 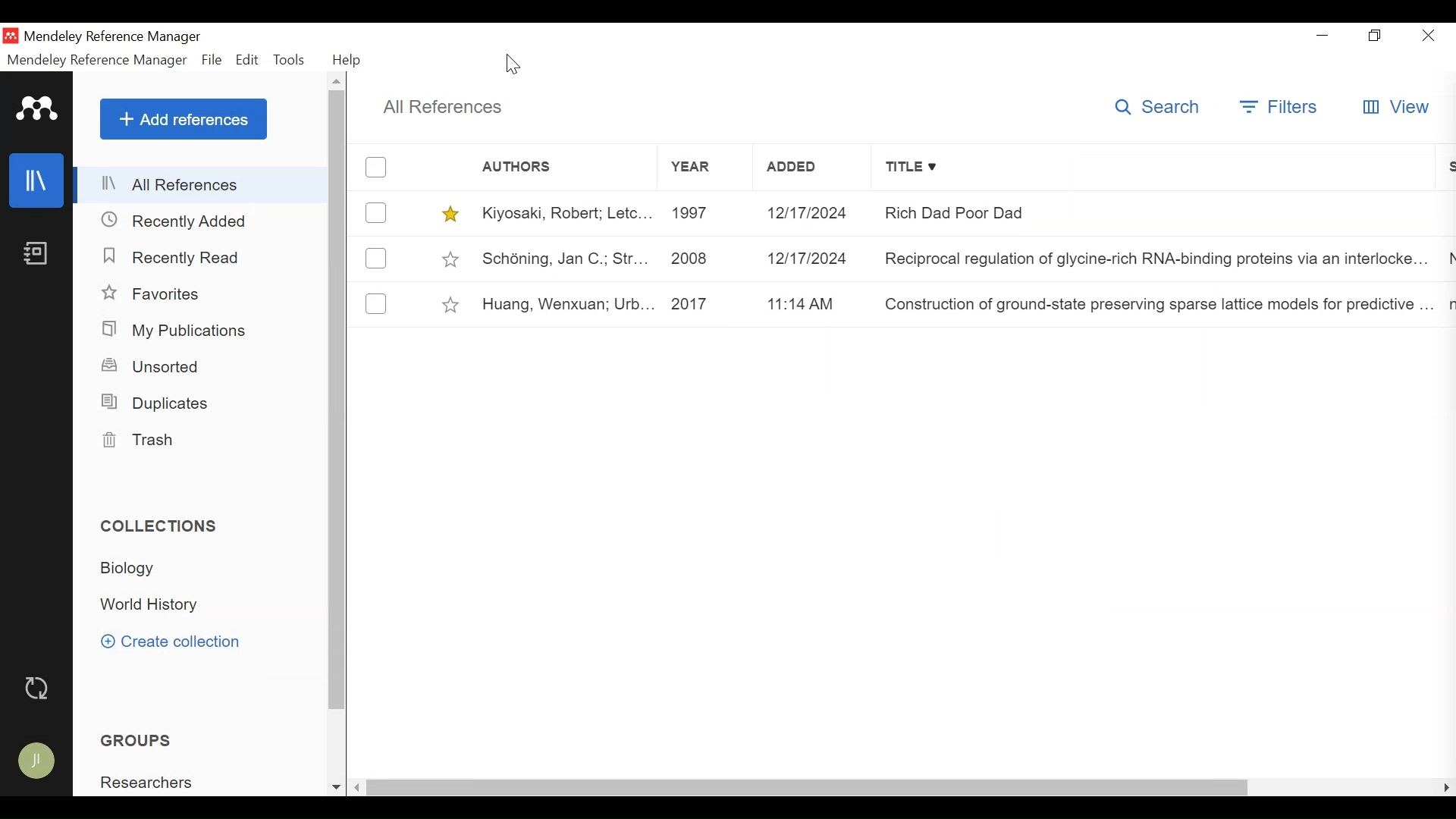 I want to click on Huang, Wenxuan; Urb., so click(x=558, y=303).